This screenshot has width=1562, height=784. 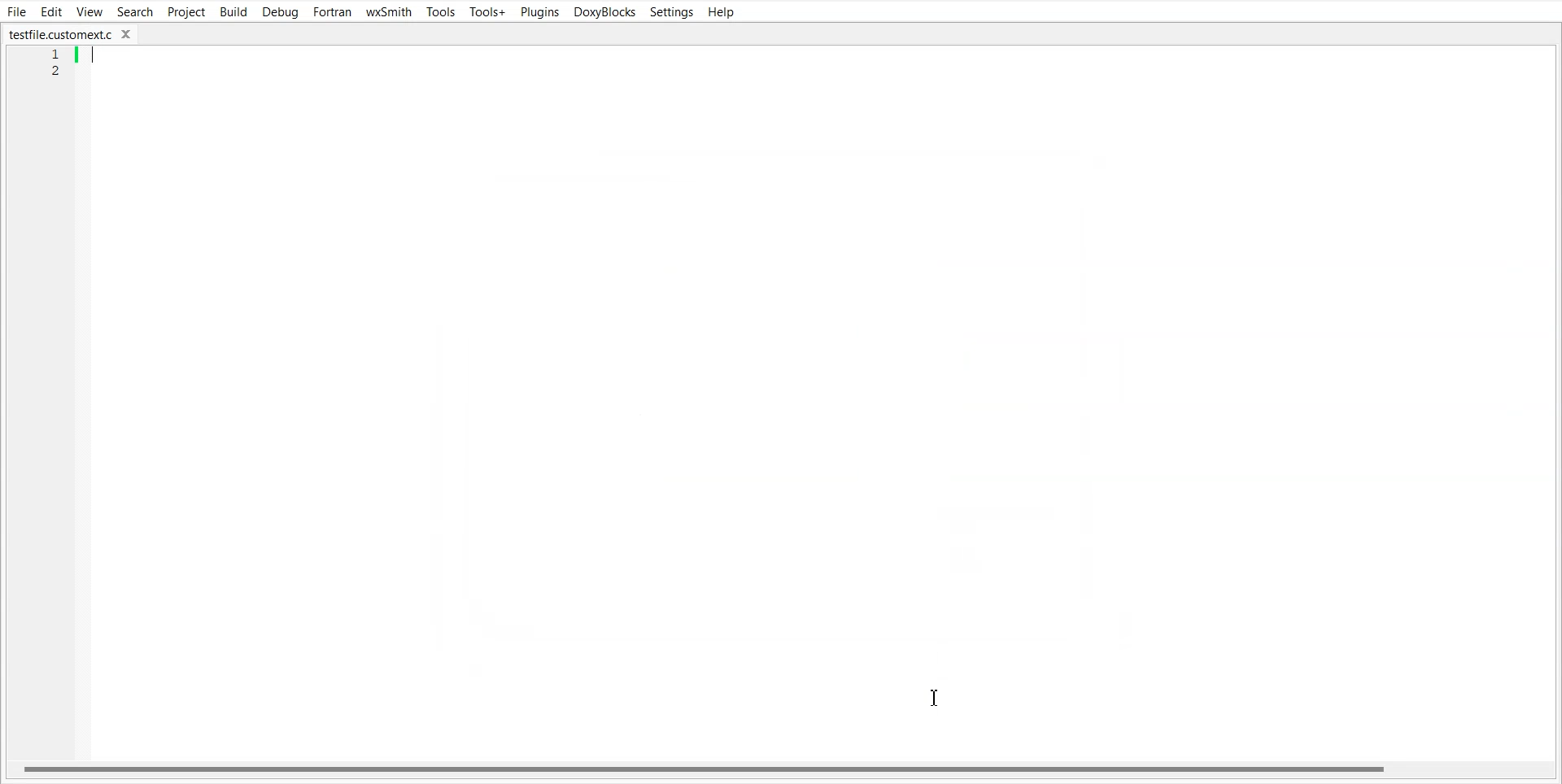 What do you see at coordinates (604, 11) in the screenshot?
I see `DoxyBlocks` at bounding box center [604, 11].